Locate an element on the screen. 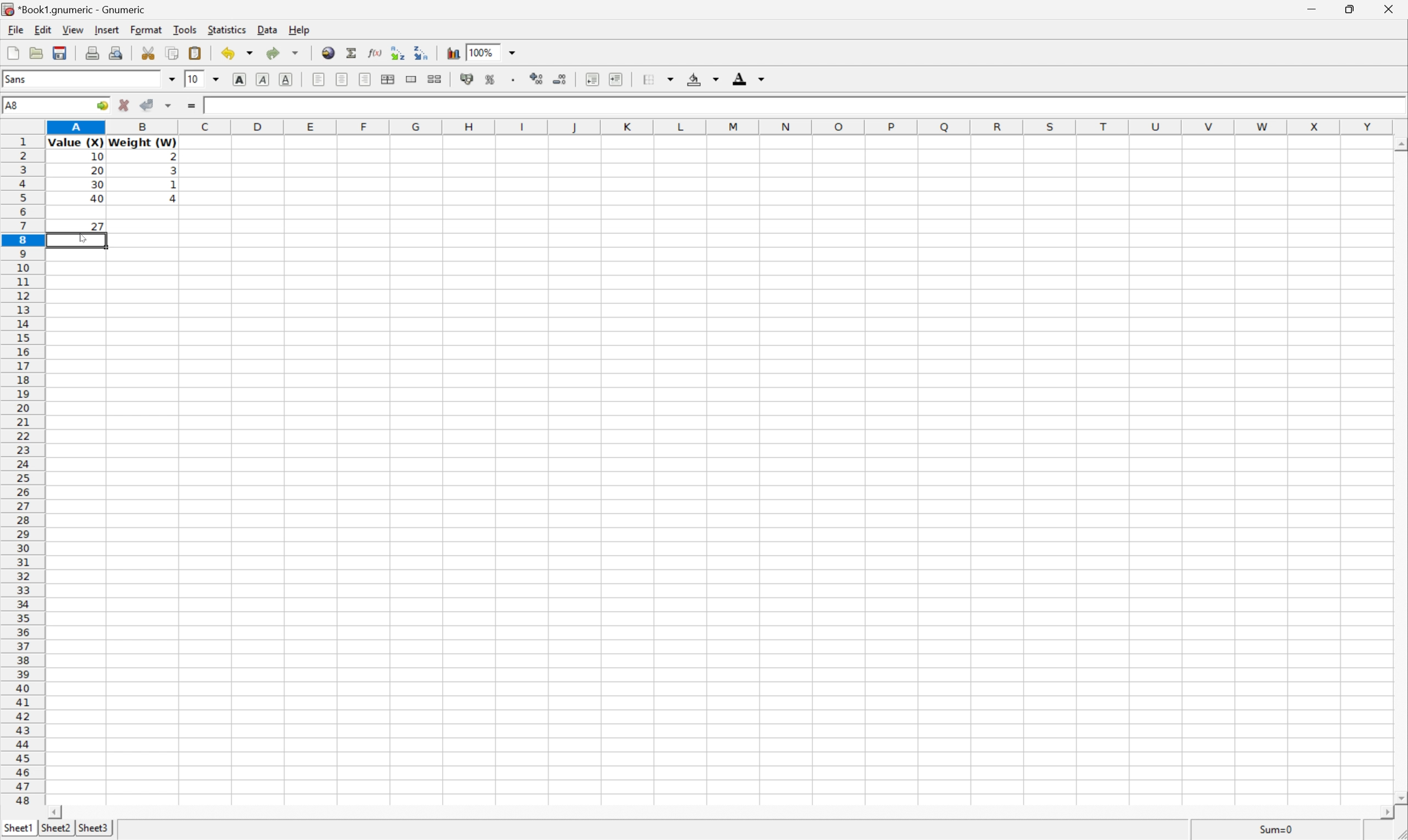 The height and width of the screenshot is (840, 1408). Help is located at coordinates (298, 28).